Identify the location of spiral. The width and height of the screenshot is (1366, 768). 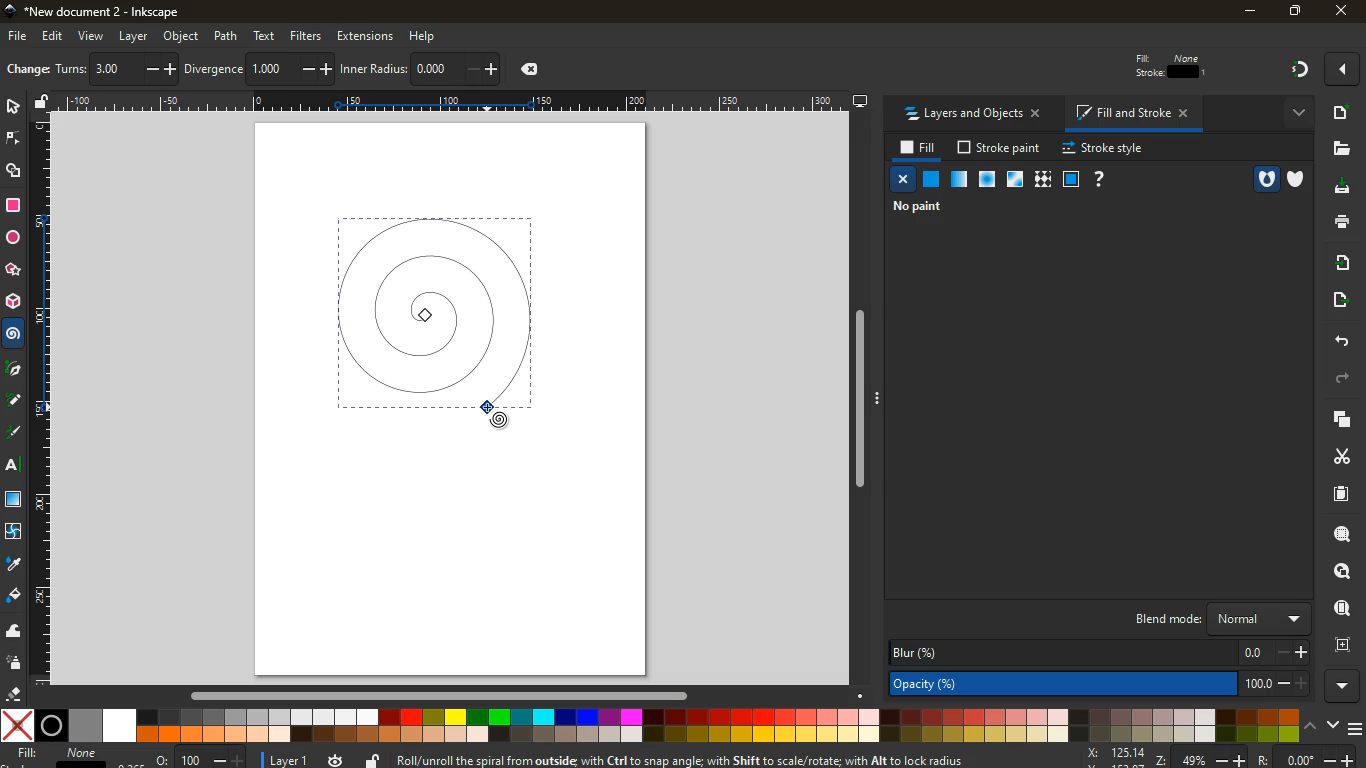
(13, 334).